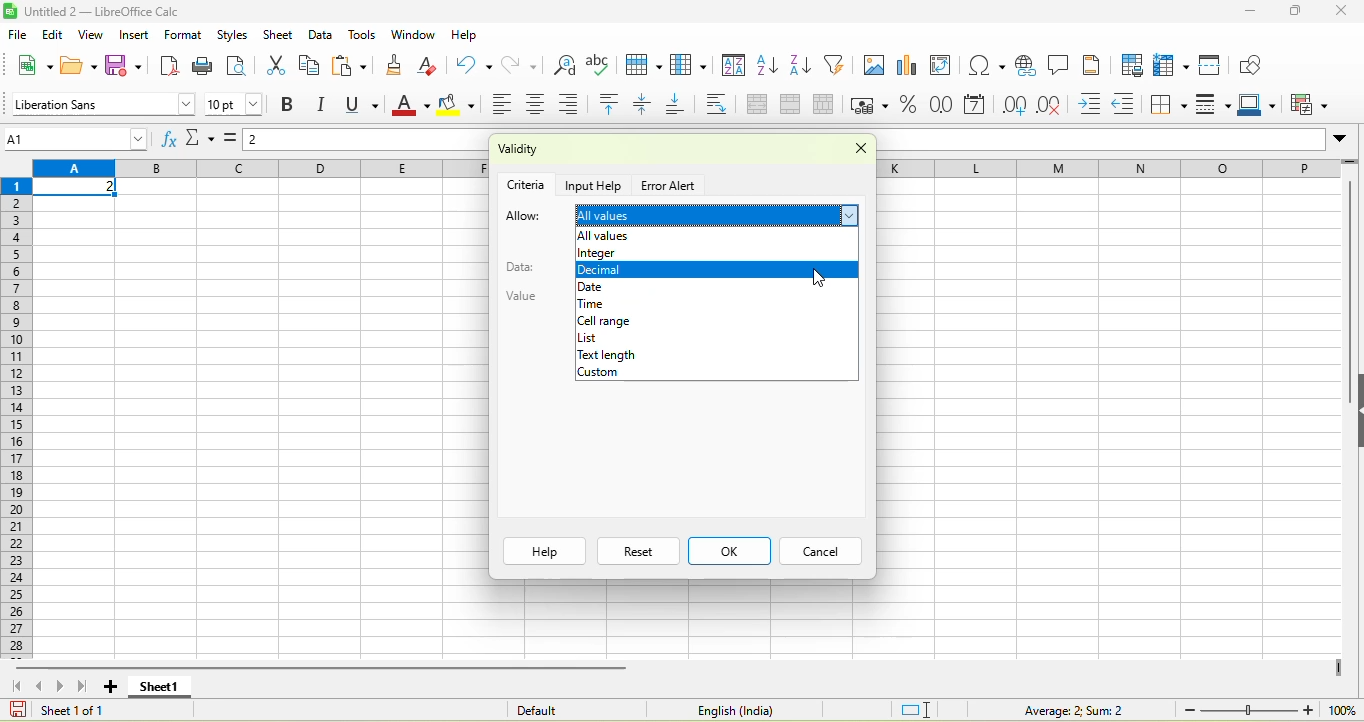  I want to click on copy, so click(310, 65).